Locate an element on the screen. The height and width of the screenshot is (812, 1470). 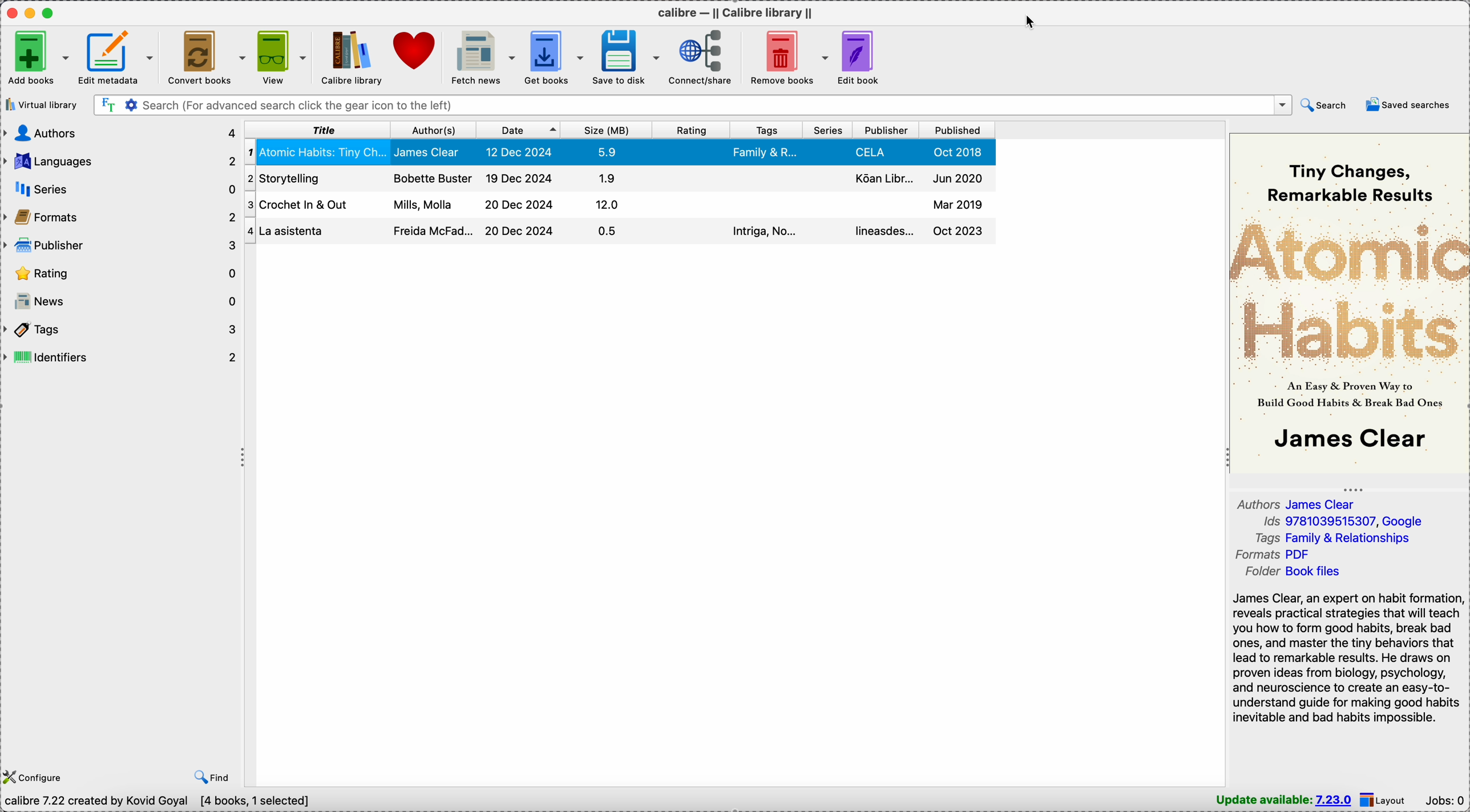
authors is located at coordinates (120, 134).